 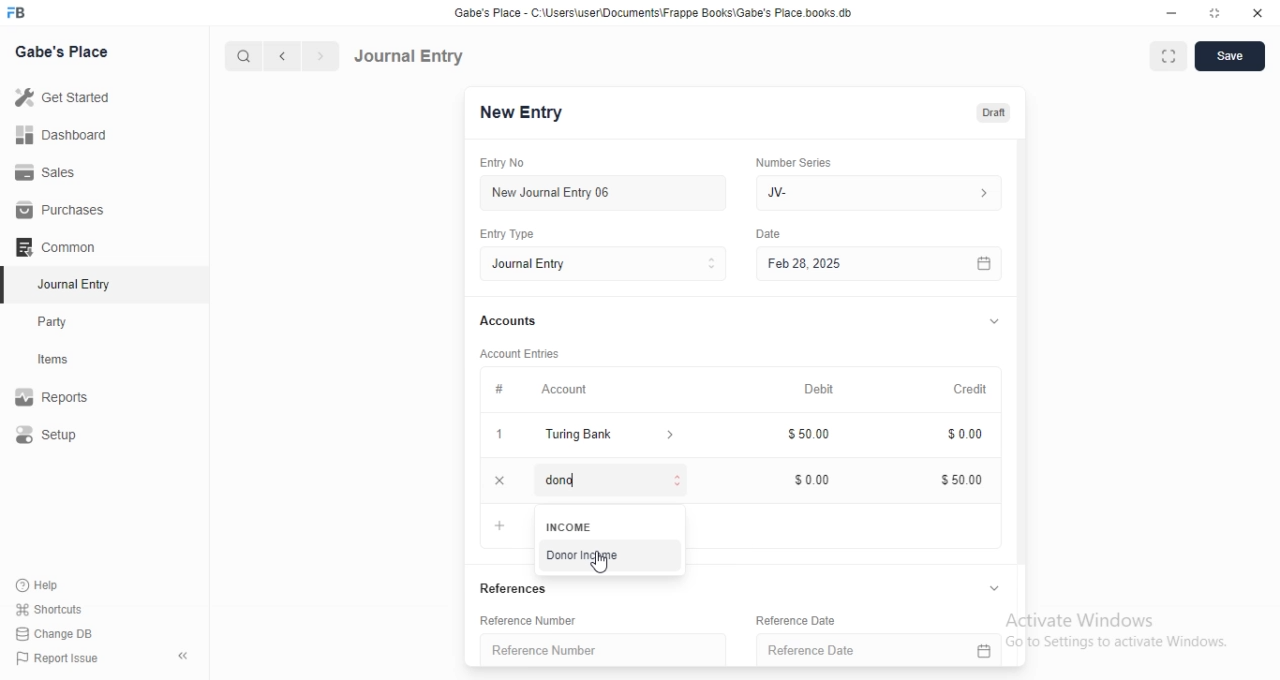 I want to click on ‘Help, so click(x=61, y=585).